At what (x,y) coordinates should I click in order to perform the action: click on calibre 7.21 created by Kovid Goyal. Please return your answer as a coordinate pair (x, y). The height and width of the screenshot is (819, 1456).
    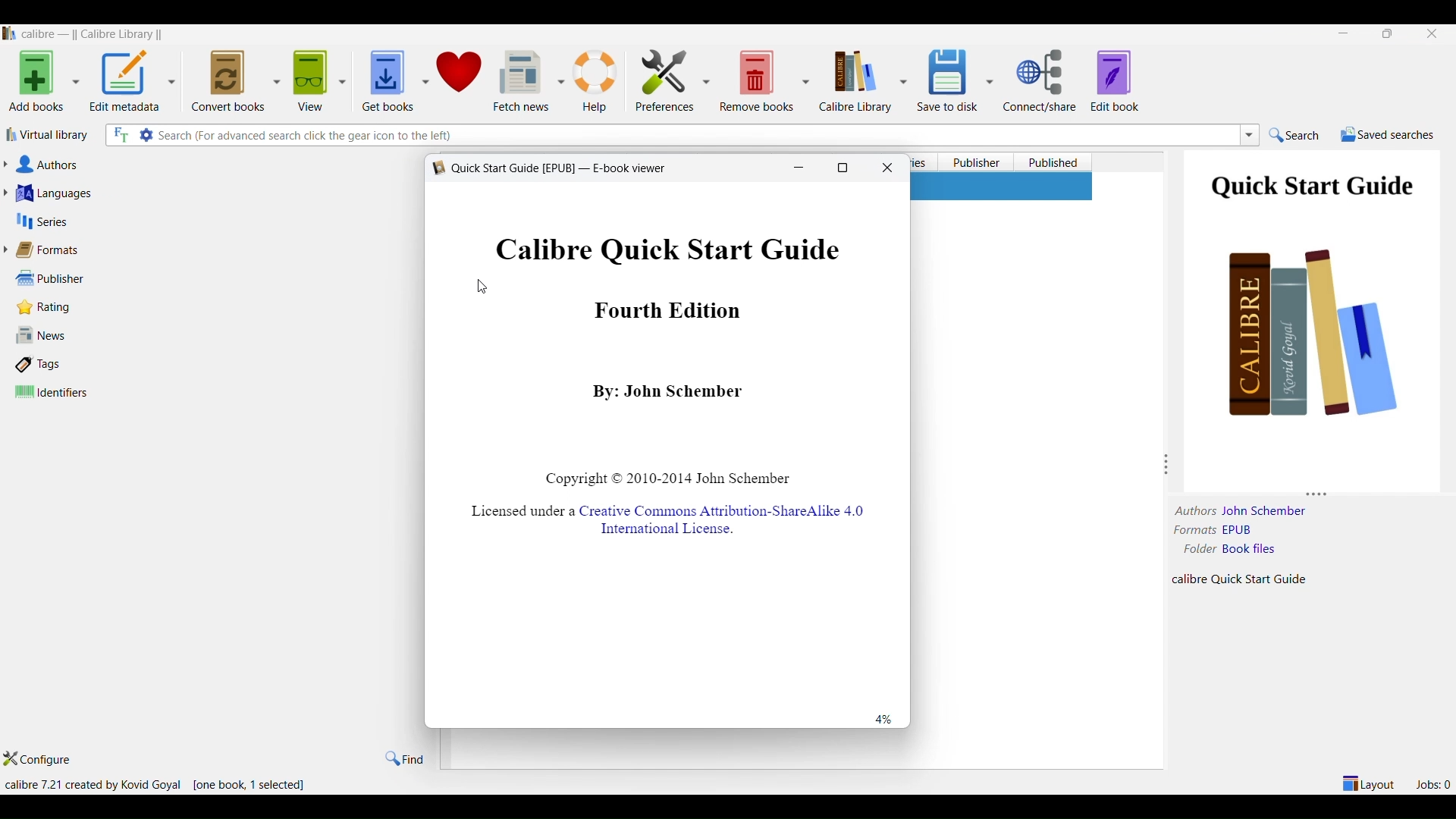
    Looking at the image, I should click on (81, 785).